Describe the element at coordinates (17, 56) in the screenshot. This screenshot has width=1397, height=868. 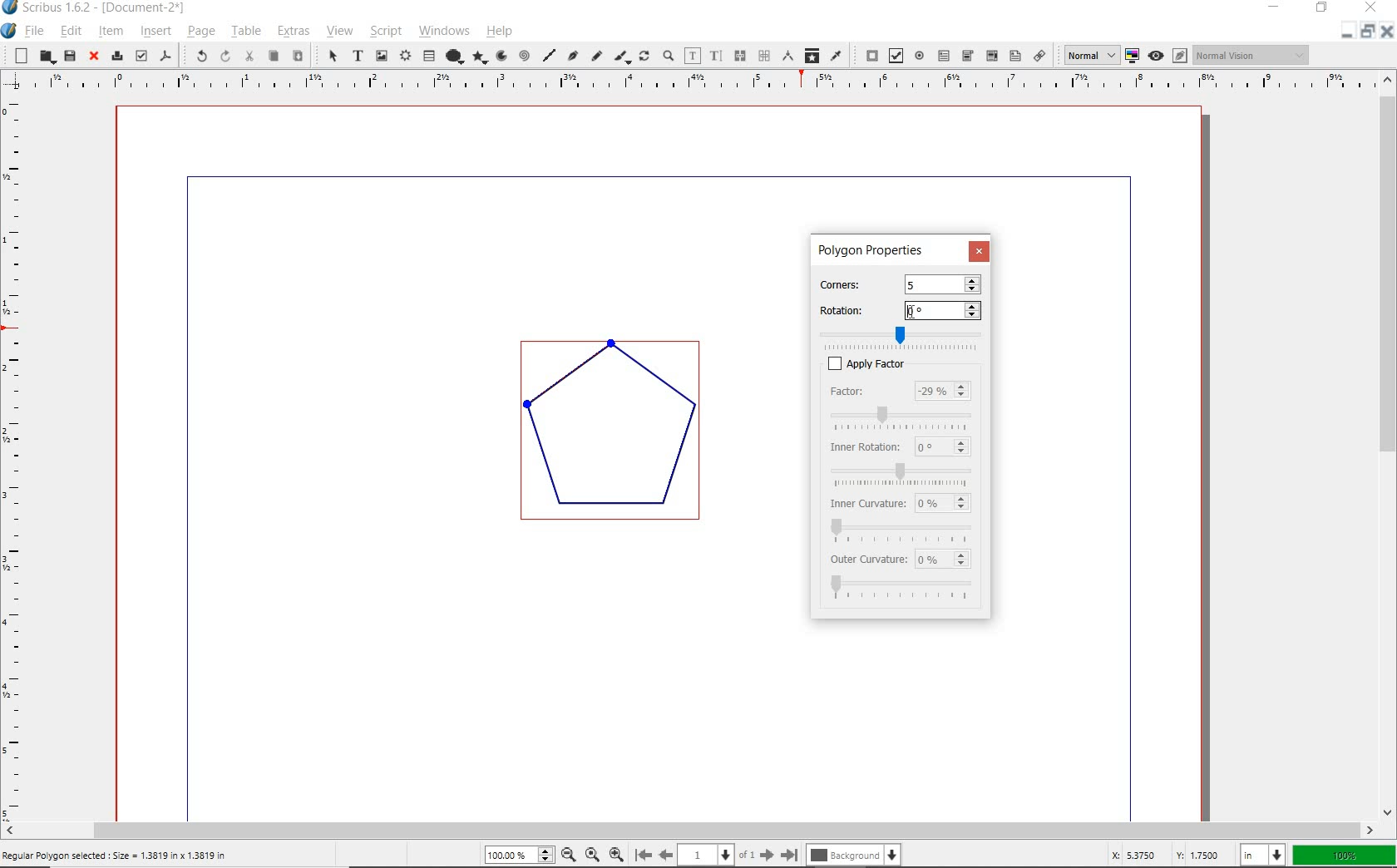
I see `new` at that location.